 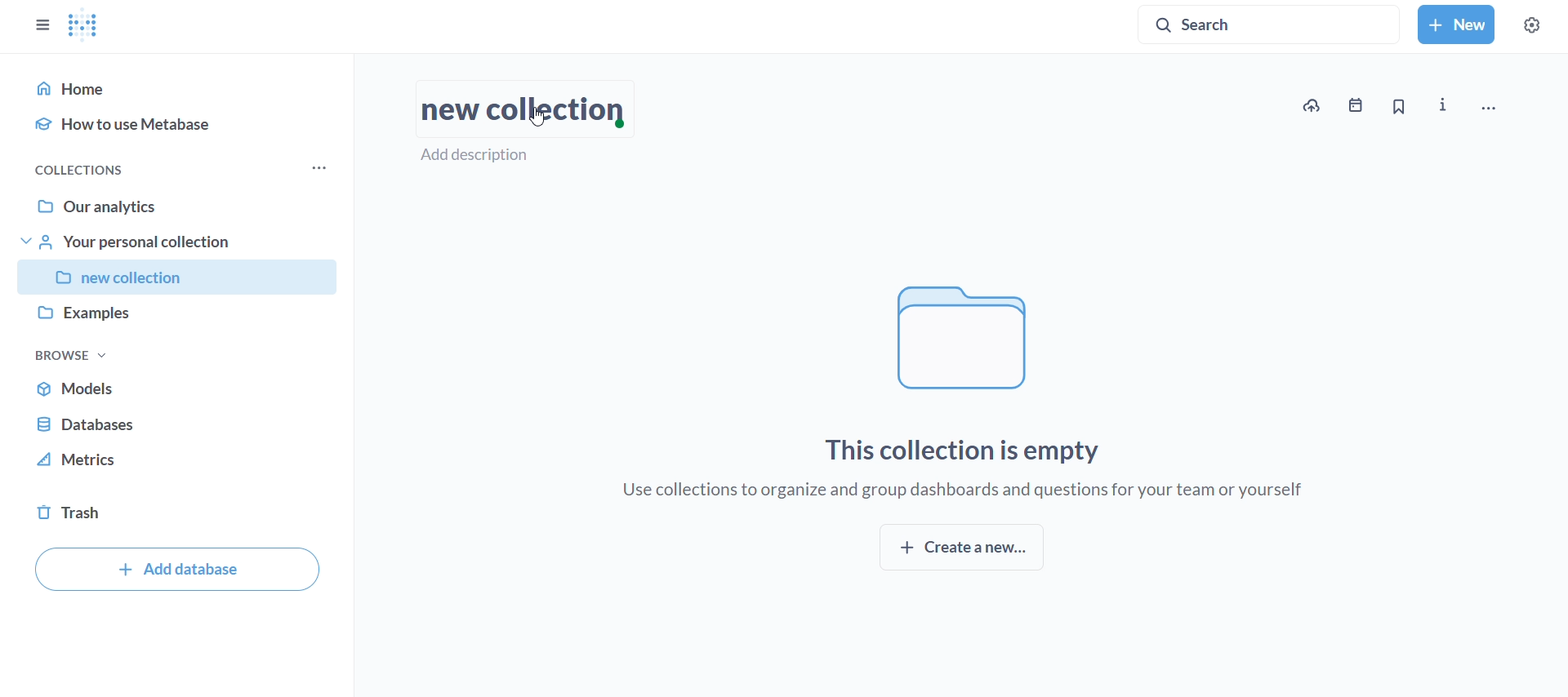 What do you see at coordinates (1311, 106) in the screenshot?
I see `upload data to new collection ` at bounding box center [1311, 106].